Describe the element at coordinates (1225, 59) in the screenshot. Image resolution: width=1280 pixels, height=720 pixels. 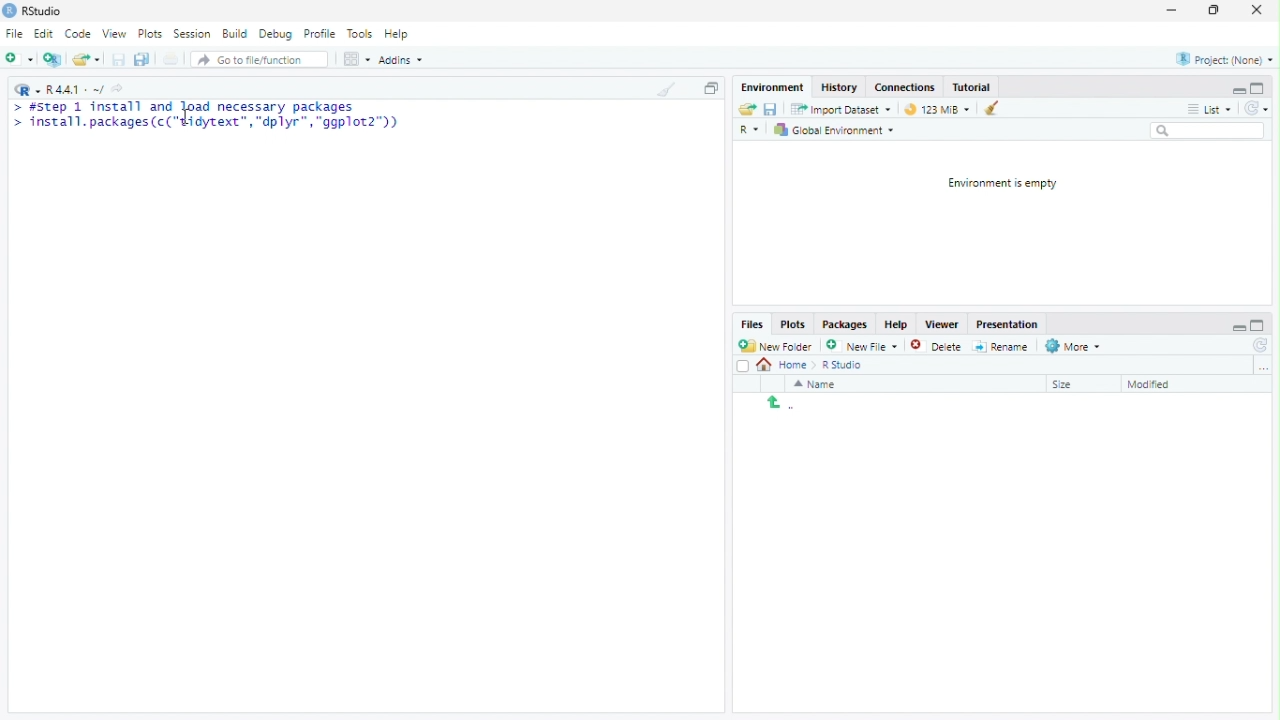
I see `Project: (None)` at that location.